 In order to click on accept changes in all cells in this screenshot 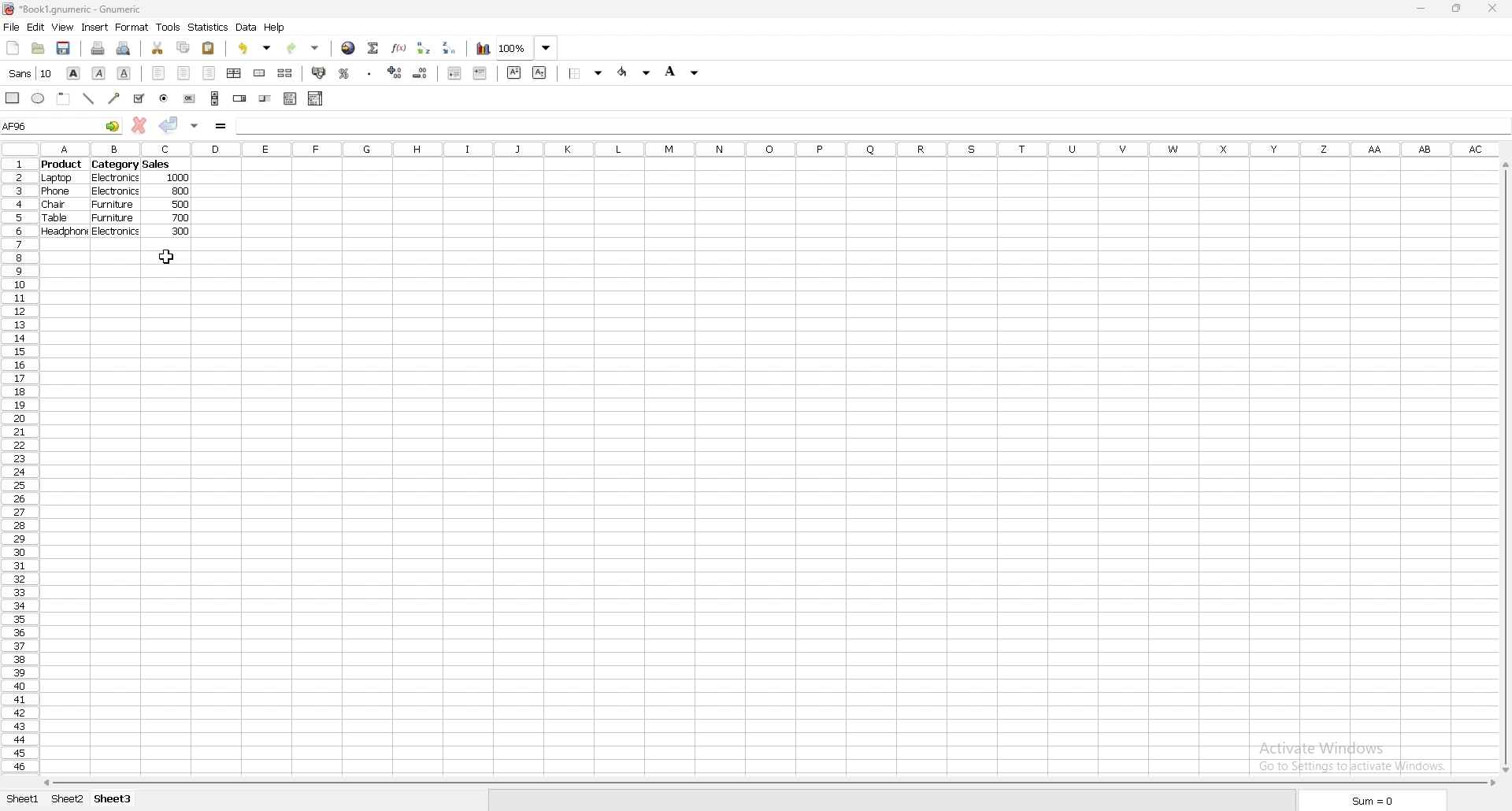, I will do `click(195, 124)`.